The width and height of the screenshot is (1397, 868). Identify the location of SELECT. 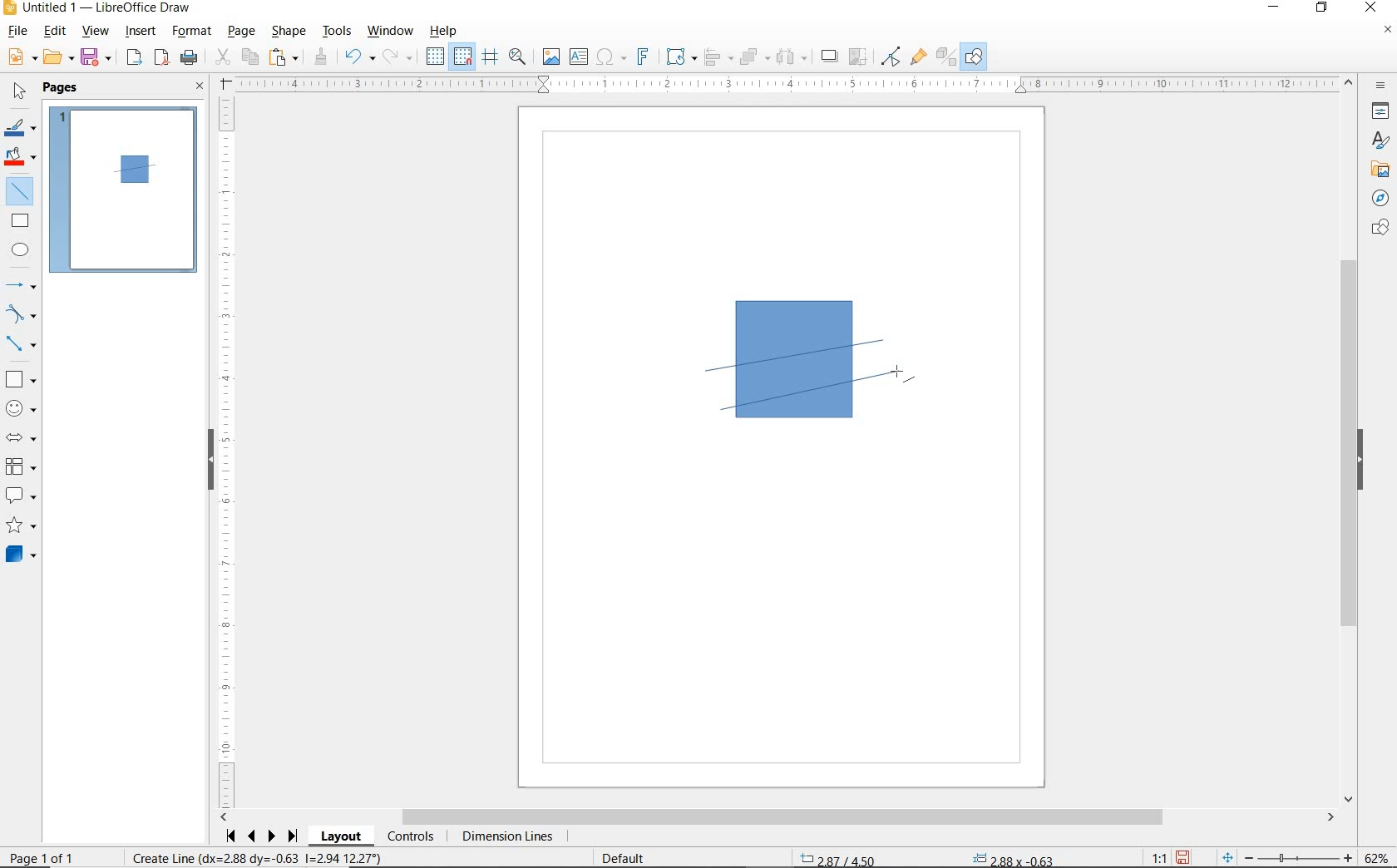
(17, 94).